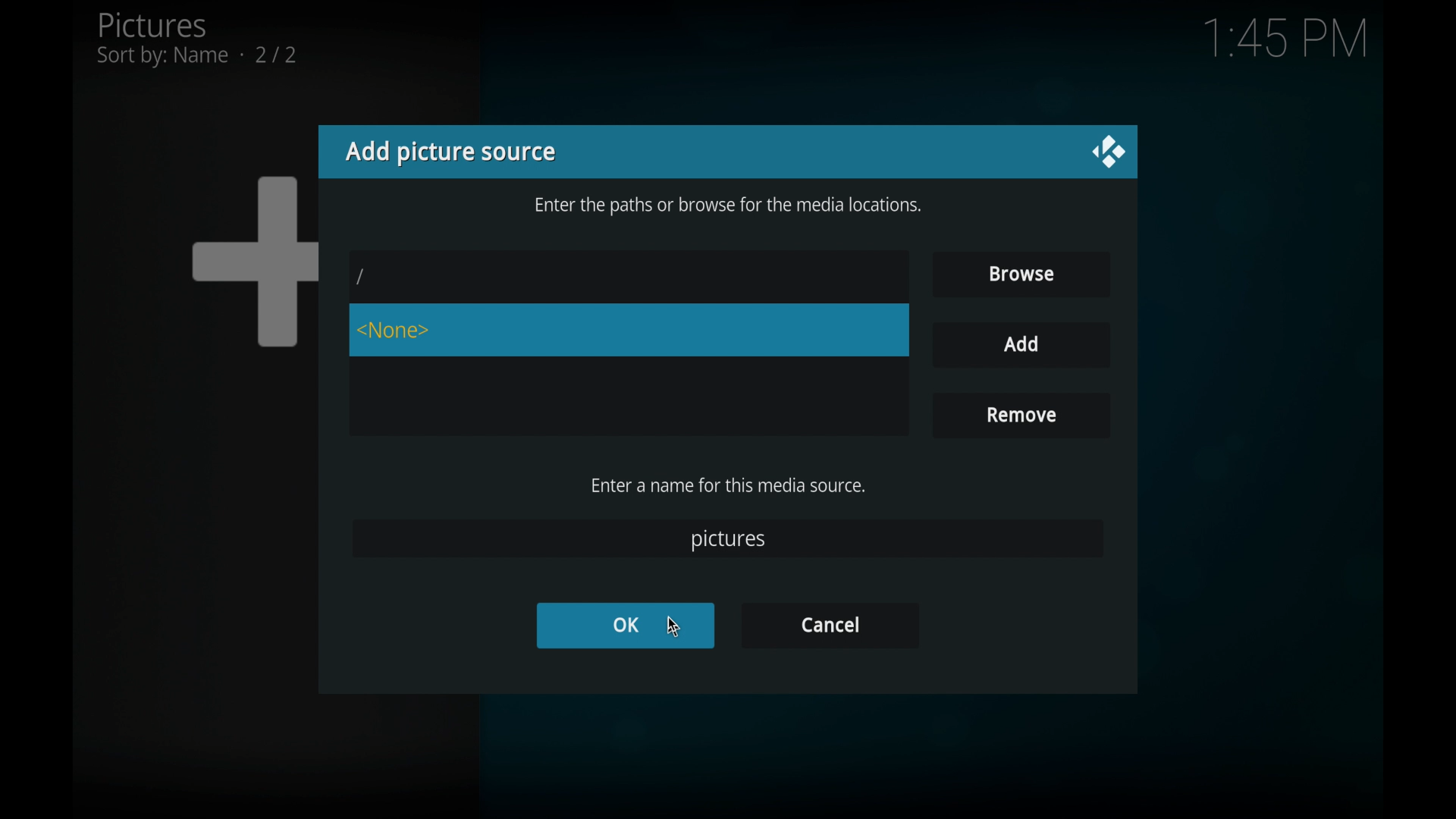 Image resolution: width=1456 pixels, height=819 pixels. Describe the element at coordinates (673, 626) in the screenshot. I see `cursor` at that location.